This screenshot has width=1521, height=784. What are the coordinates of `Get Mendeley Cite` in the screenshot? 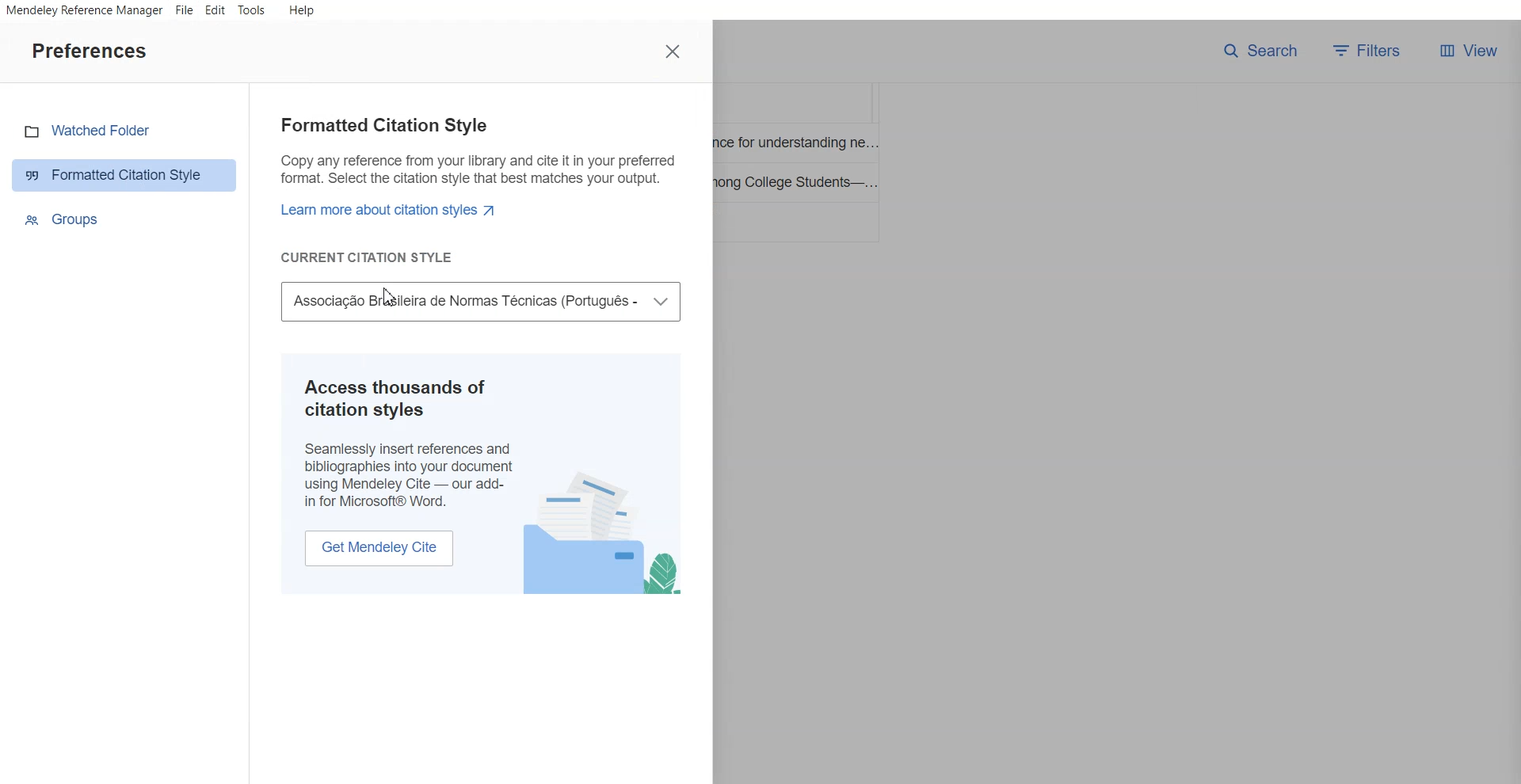 It's located at (379, 547).